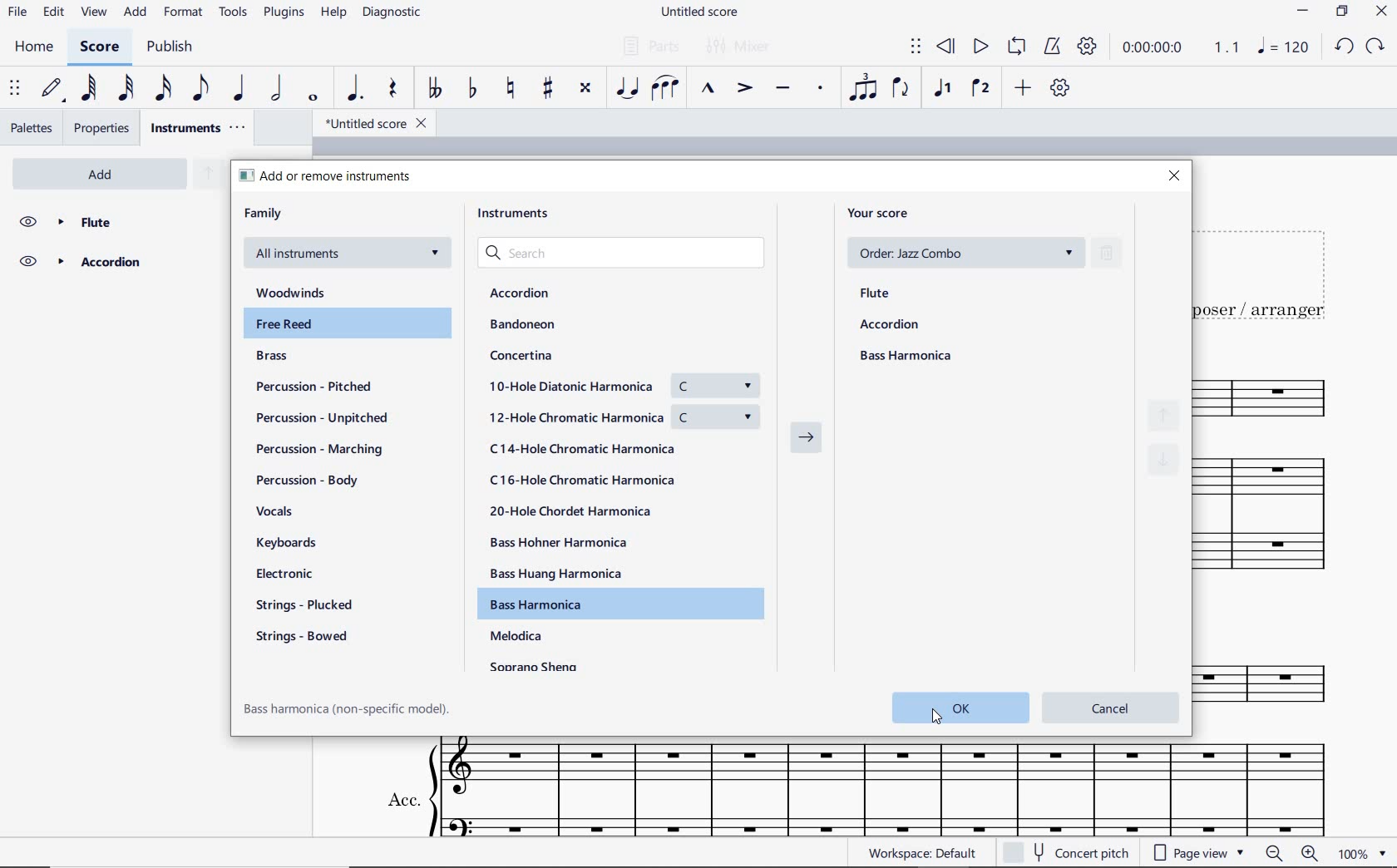  I want to click on toggle double-sharp, so click(585, 91).